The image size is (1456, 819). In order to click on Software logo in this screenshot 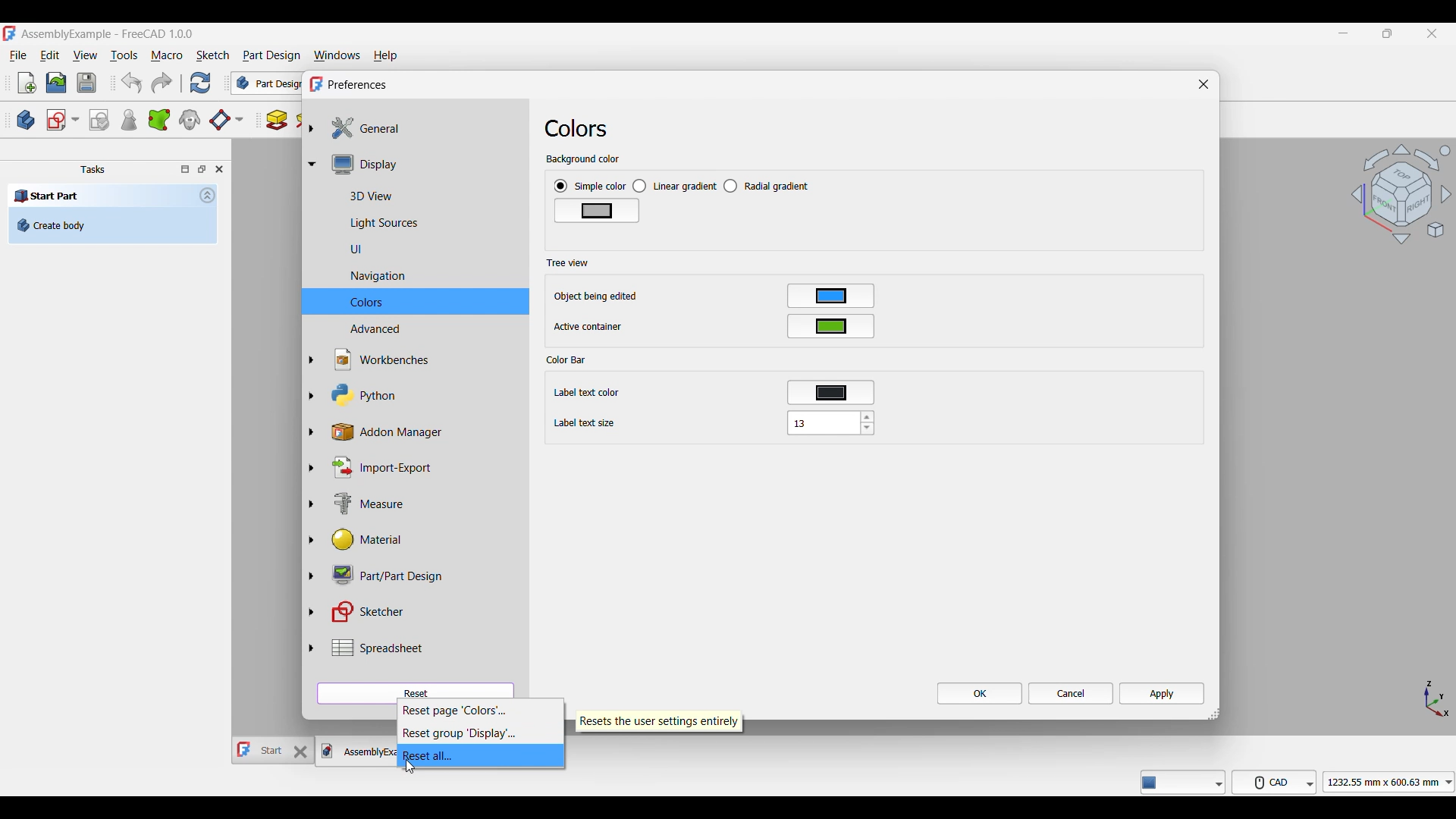, I will do `click(9, 33)`.